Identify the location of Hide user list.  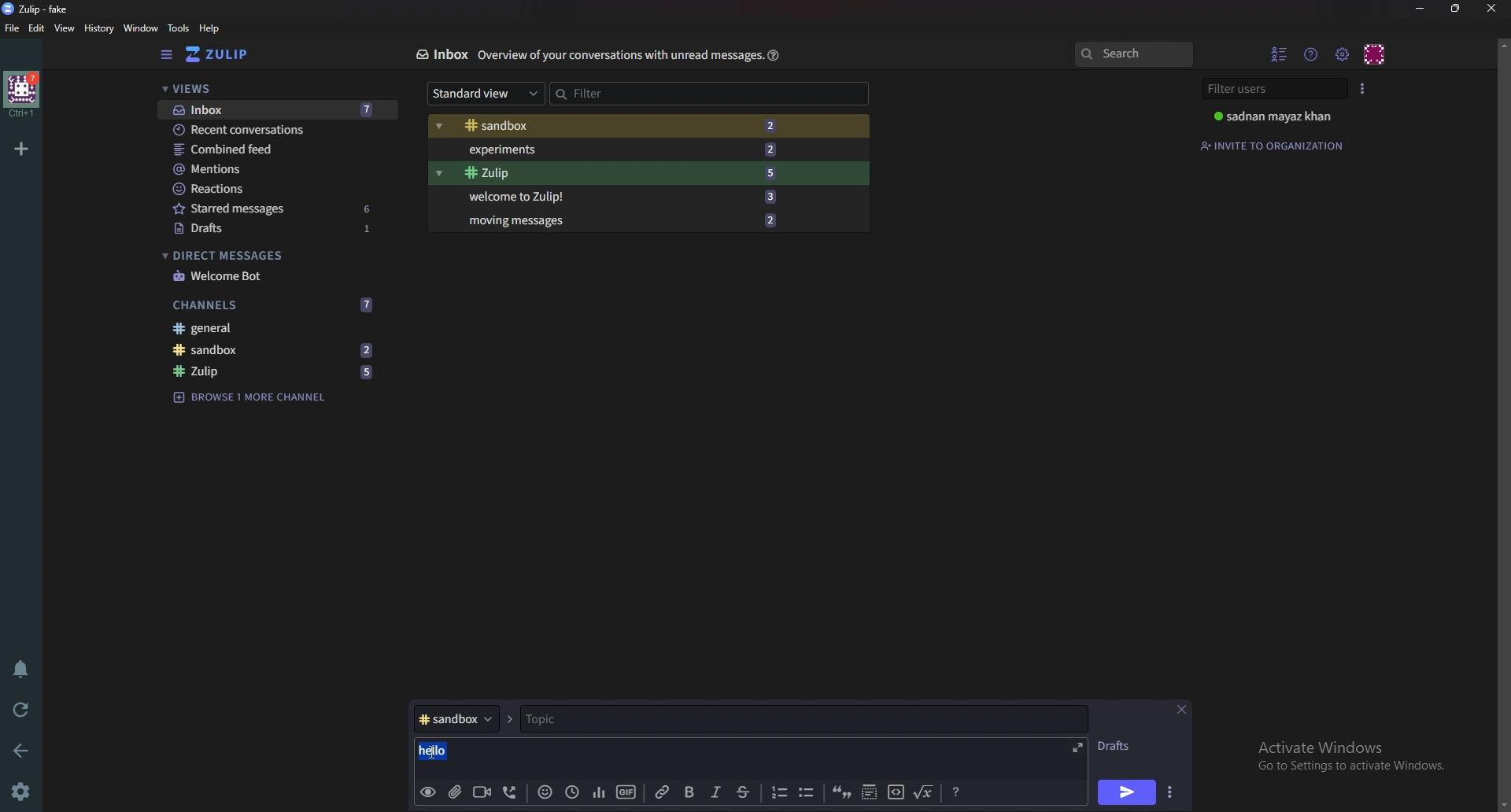
(1278, 52).